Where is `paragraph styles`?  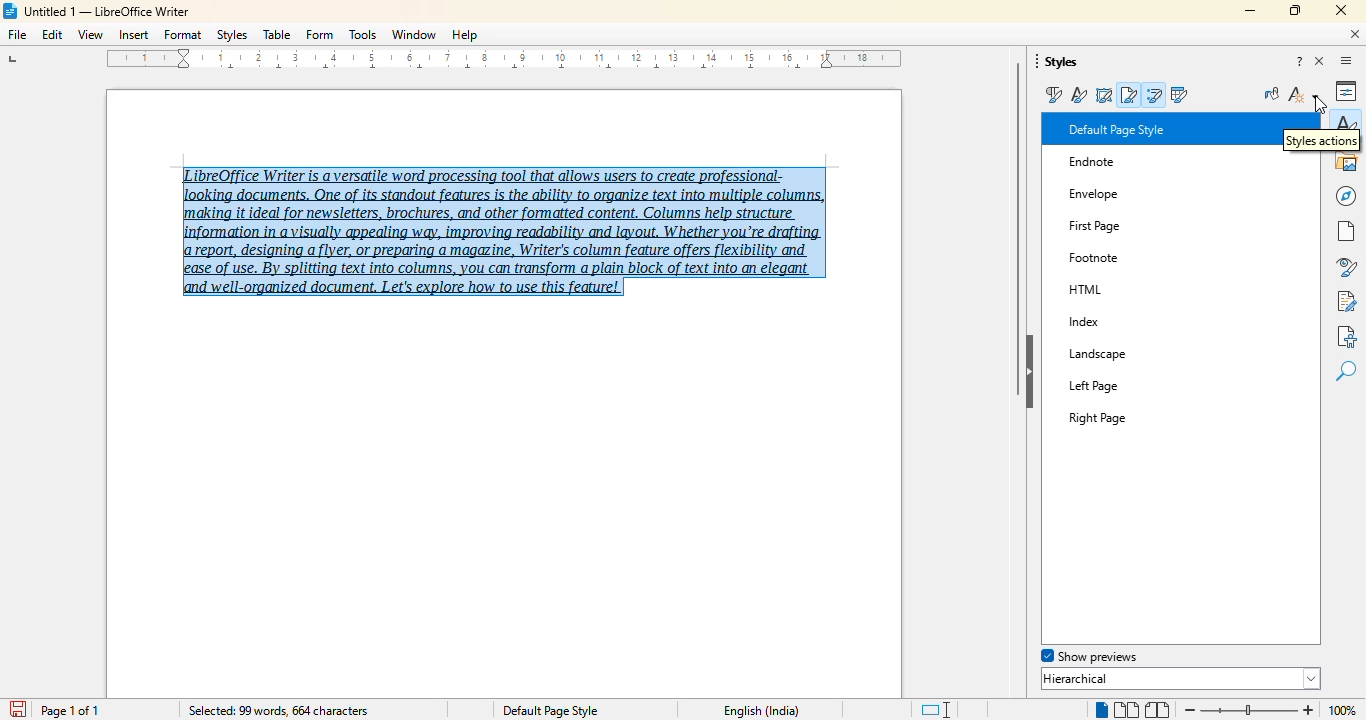 paragraph styles is located at coordinates (1052, 95).